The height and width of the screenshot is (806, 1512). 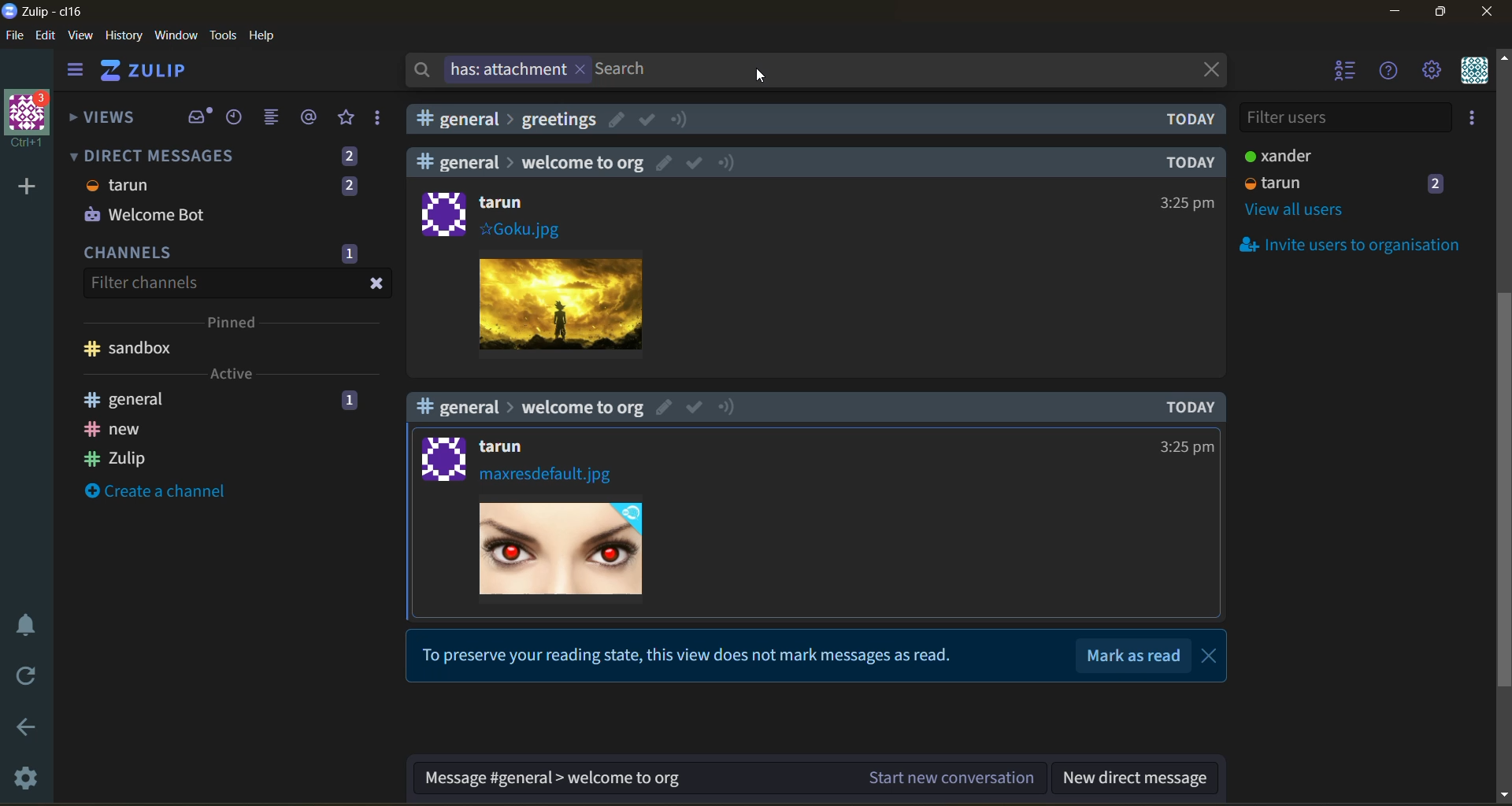 I want to click on new direct message, so click(x=1134, y=779).